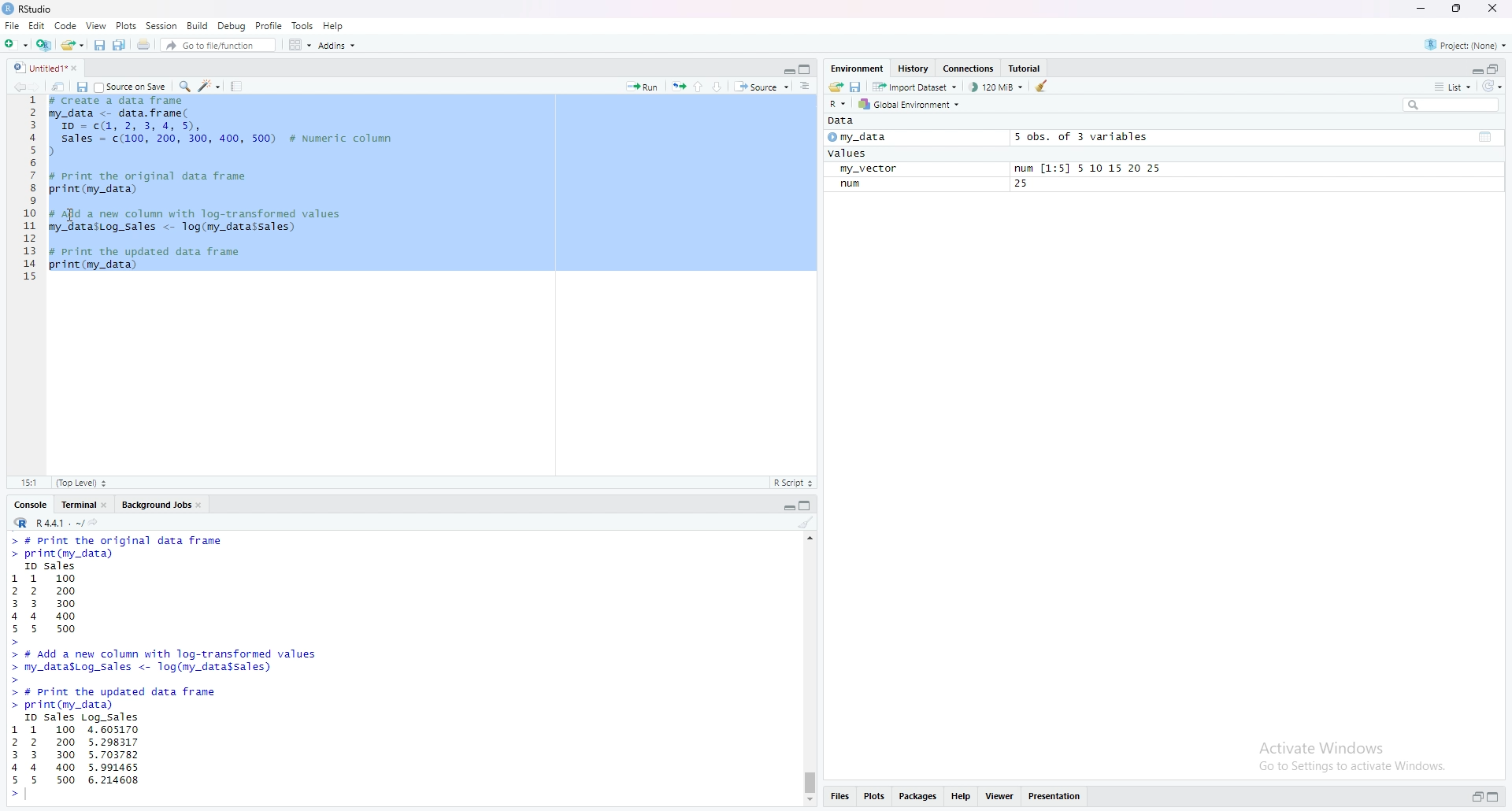 This screenshot has width=1512, height=811. I want to click on maximize, so click(808, 505).